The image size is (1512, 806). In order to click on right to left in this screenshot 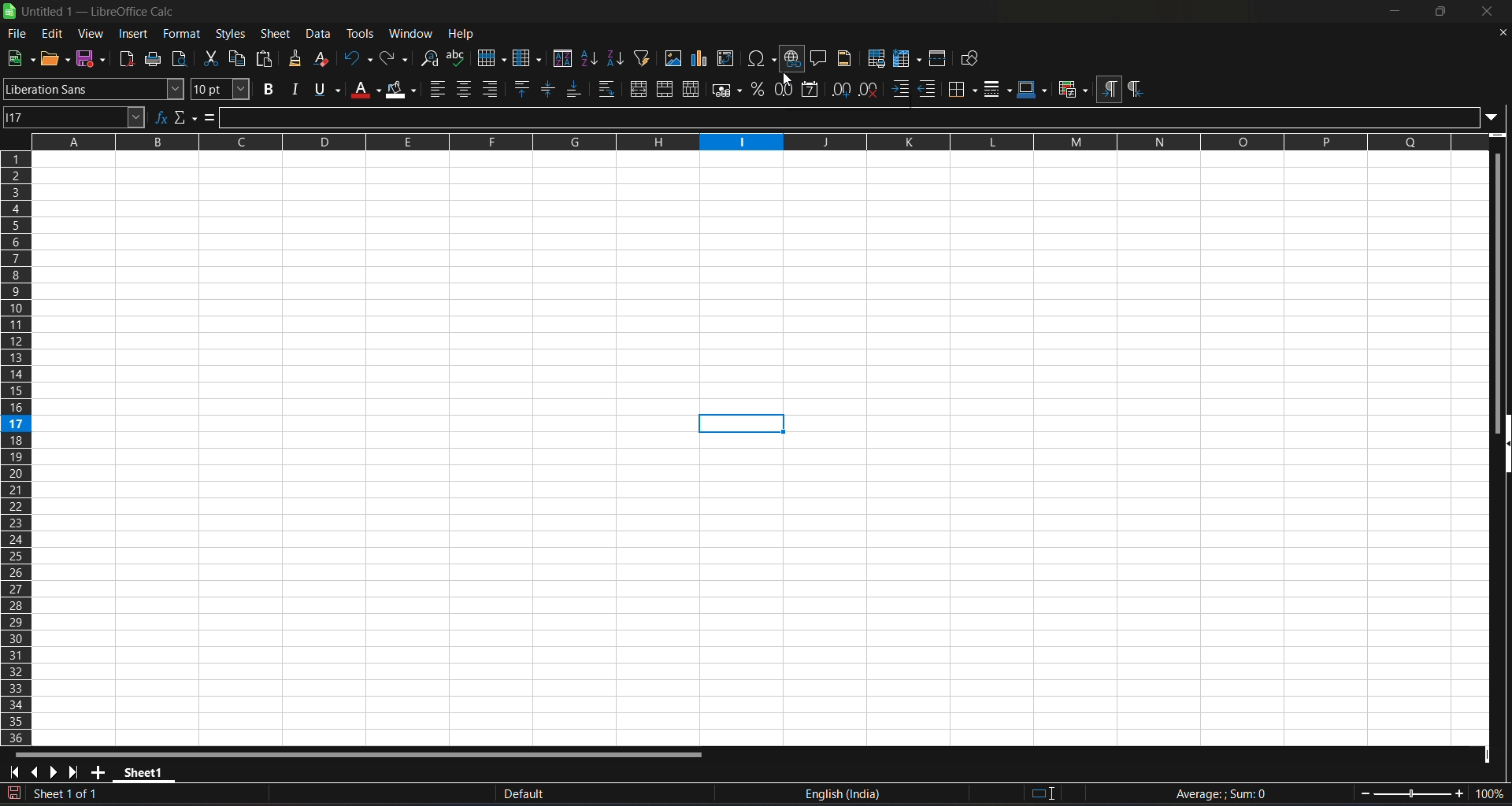, I will do `click(1135, 90)`.